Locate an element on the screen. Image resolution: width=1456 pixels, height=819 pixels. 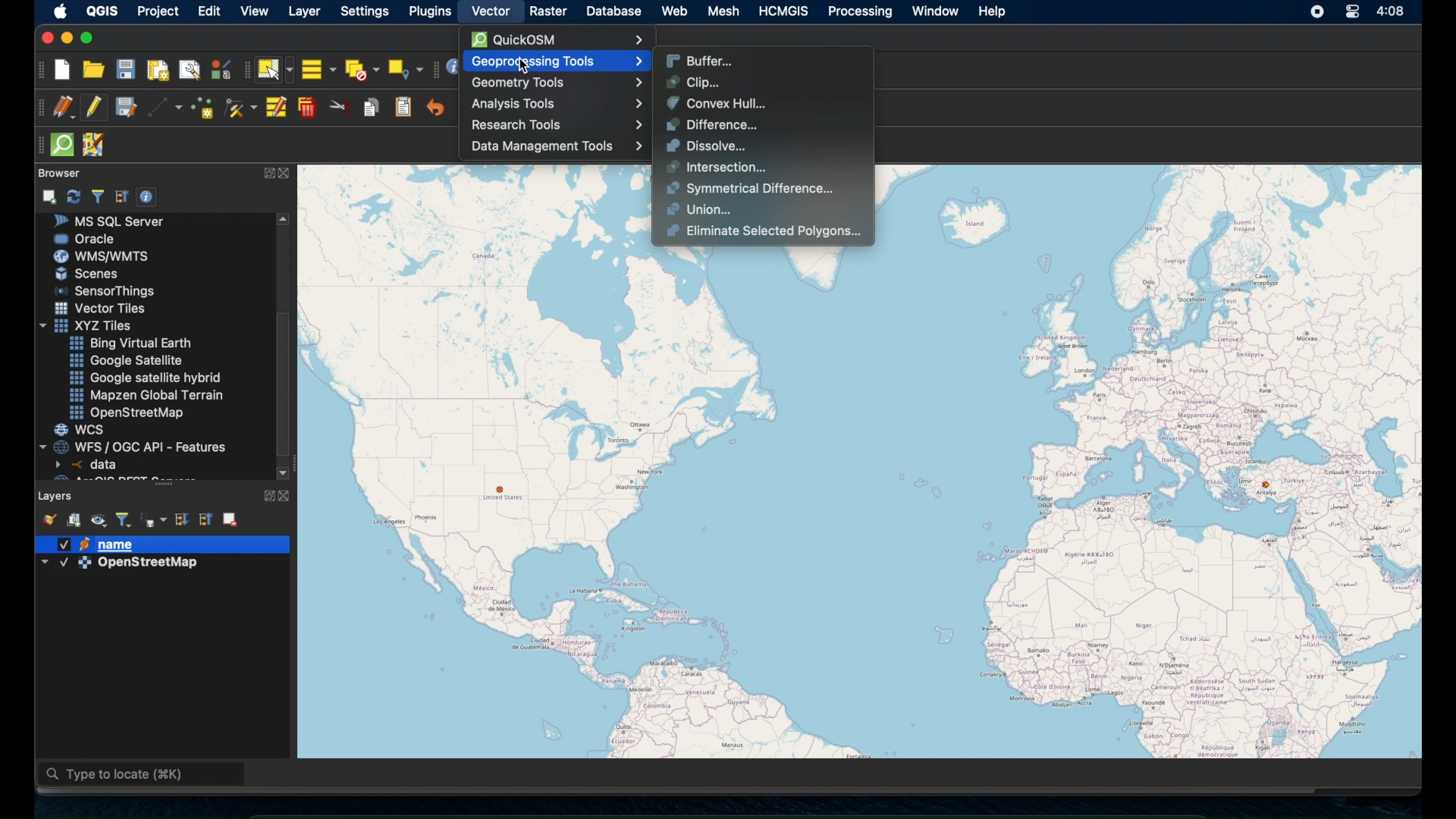
vertex tool is located at coordinates (240, 105).